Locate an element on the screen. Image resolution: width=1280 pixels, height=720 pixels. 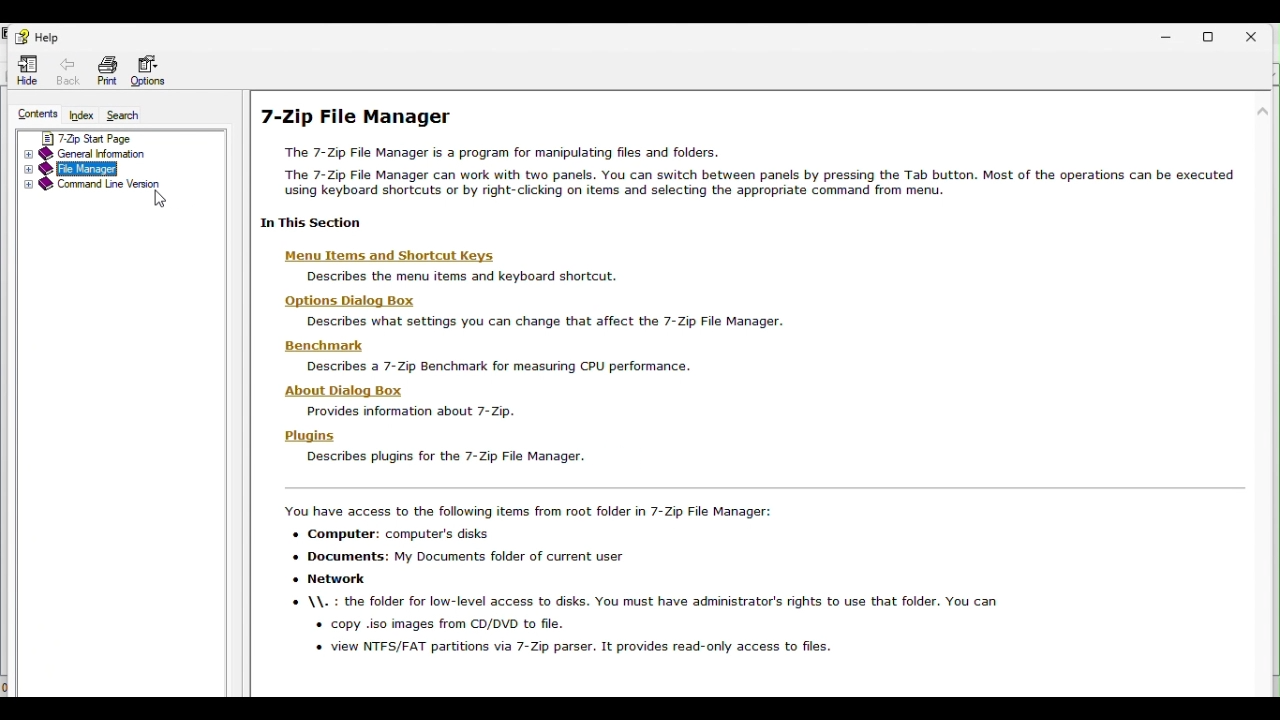
| In This Section is located at coordinates (308, 221).